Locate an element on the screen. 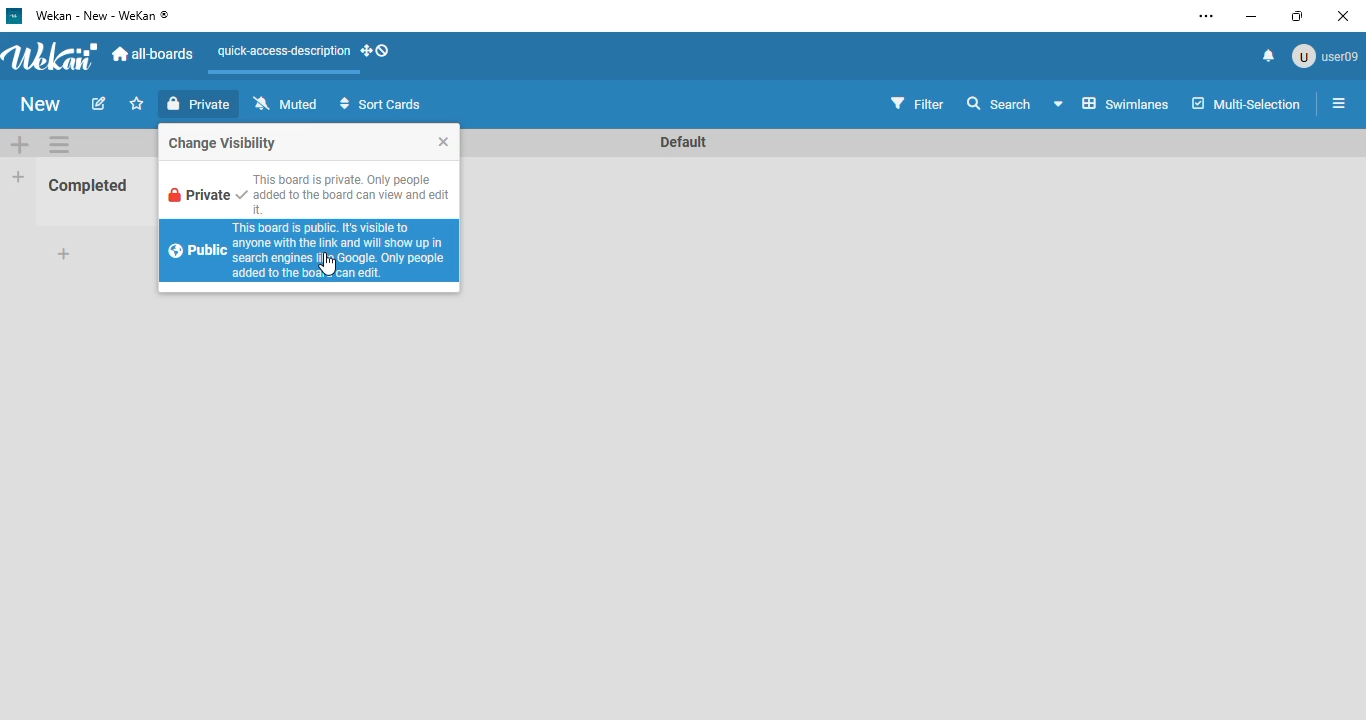 The image size is (1366, 720). close is located at coordinates (444, 141).